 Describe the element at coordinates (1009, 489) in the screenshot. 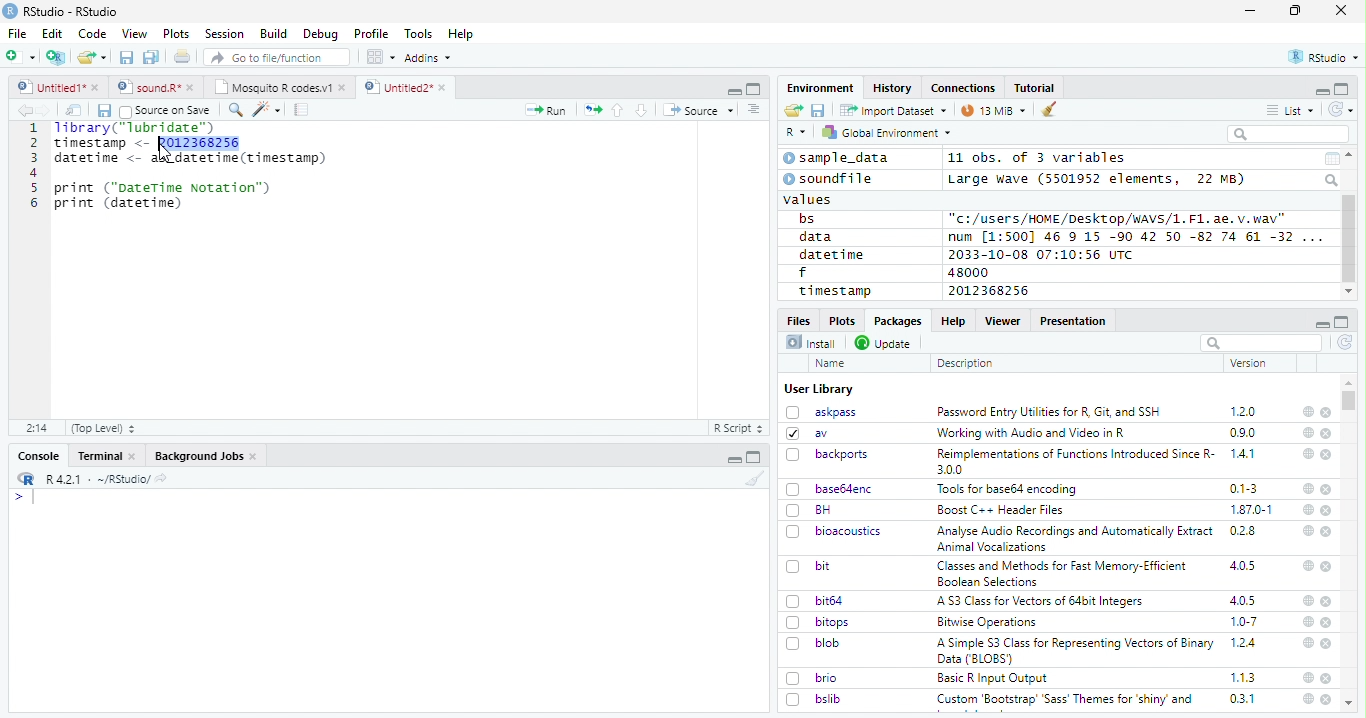

I see `Tools for baseb4 encoding` at that location.